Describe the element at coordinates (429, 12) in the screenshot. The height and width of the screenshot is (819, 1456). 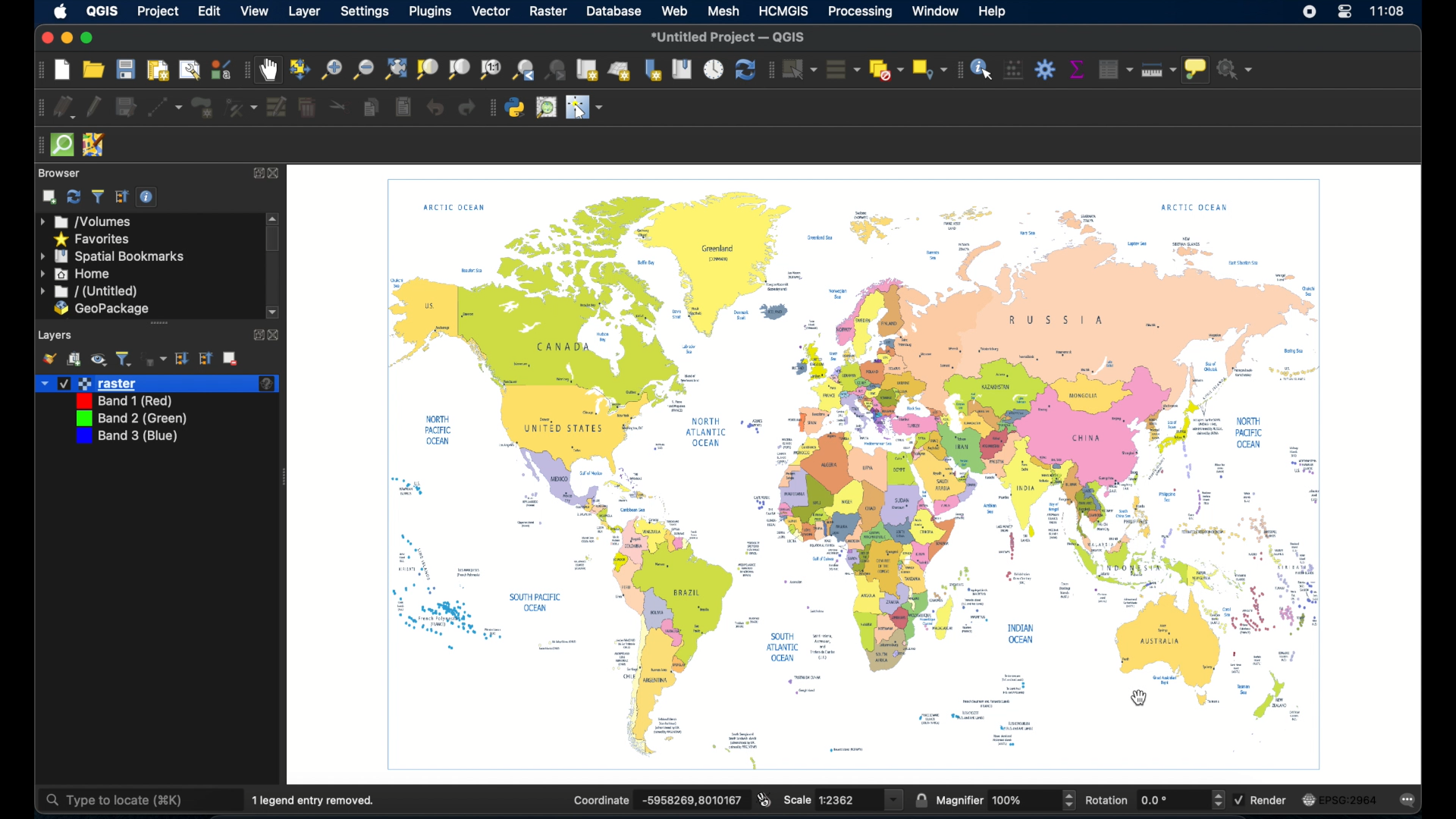
I see `plugins` at that location.